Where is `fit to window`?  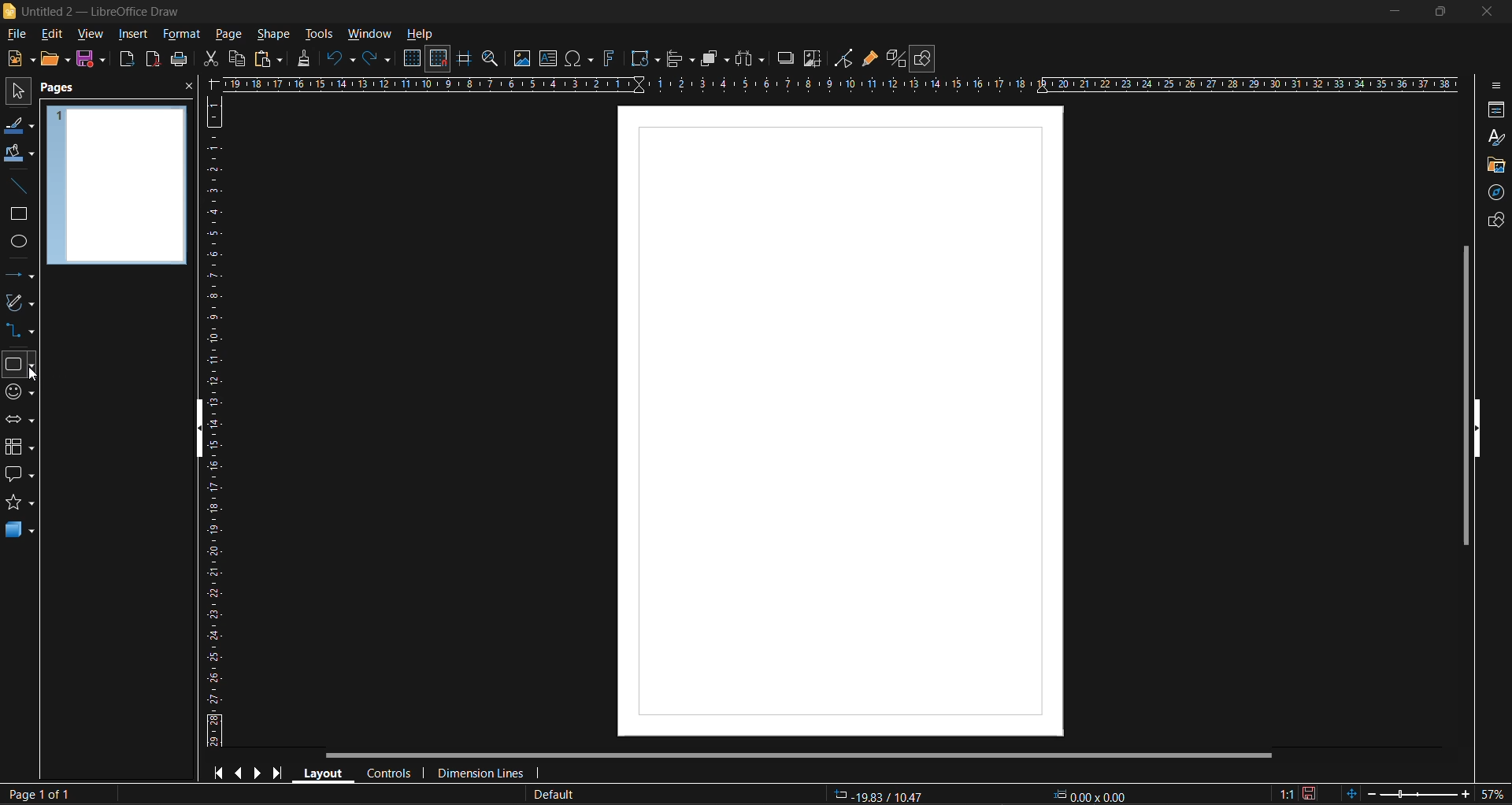
fit to window is located at coordinates (1351, 793).